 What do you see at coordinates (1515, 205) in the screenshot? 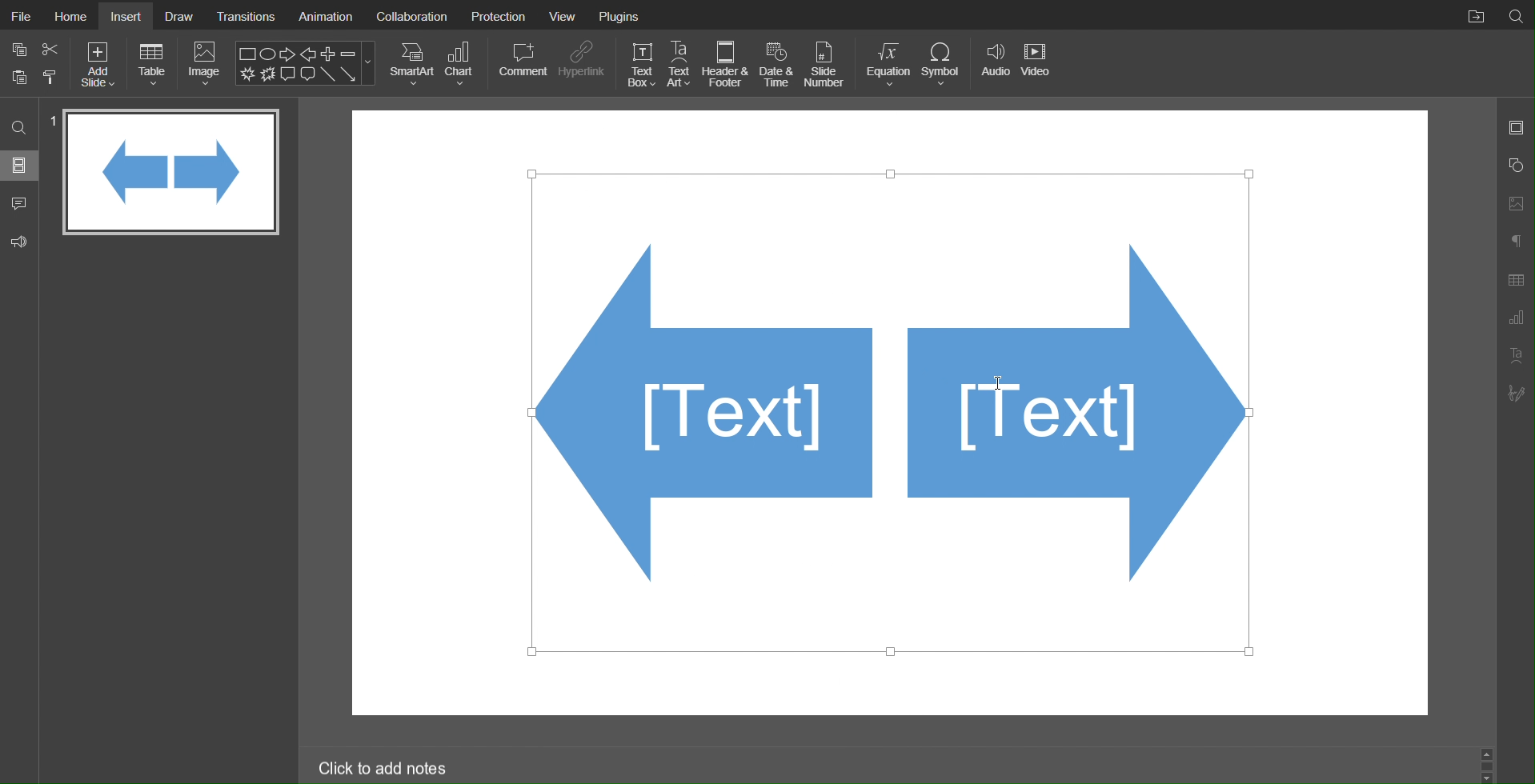
I see `Image Settings` at bounding box center [1515, 205].